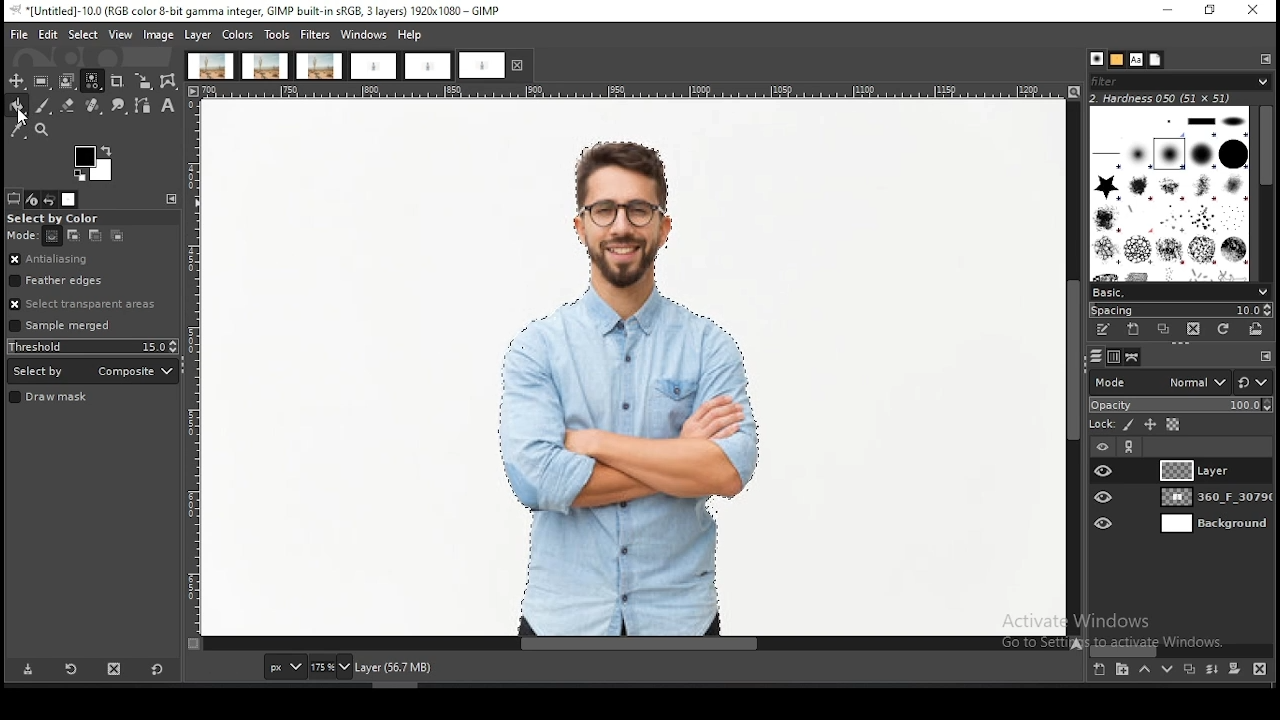 This screenshot has height=720, width=1280. Describe the element at coordinates (266, 66) in the screenshot. I see `project tab` at that location.